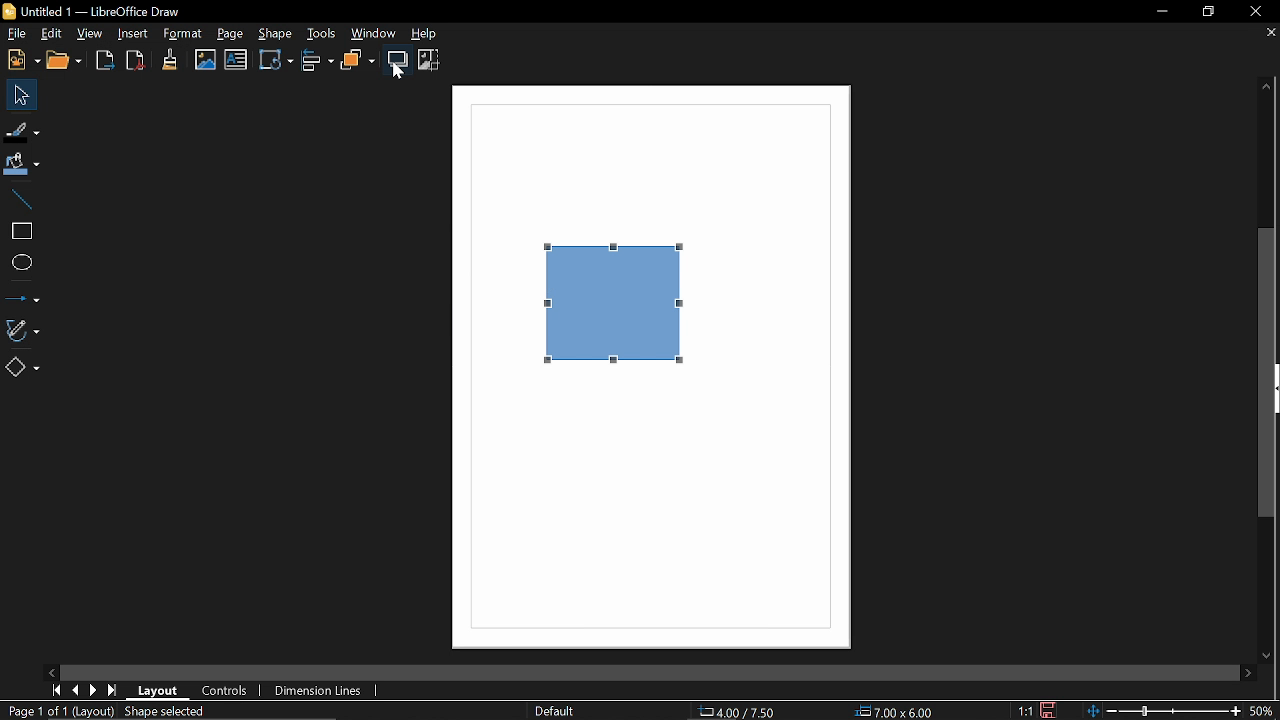 The image size is (1280, 720). I want to click on Window, so click(374, 33).